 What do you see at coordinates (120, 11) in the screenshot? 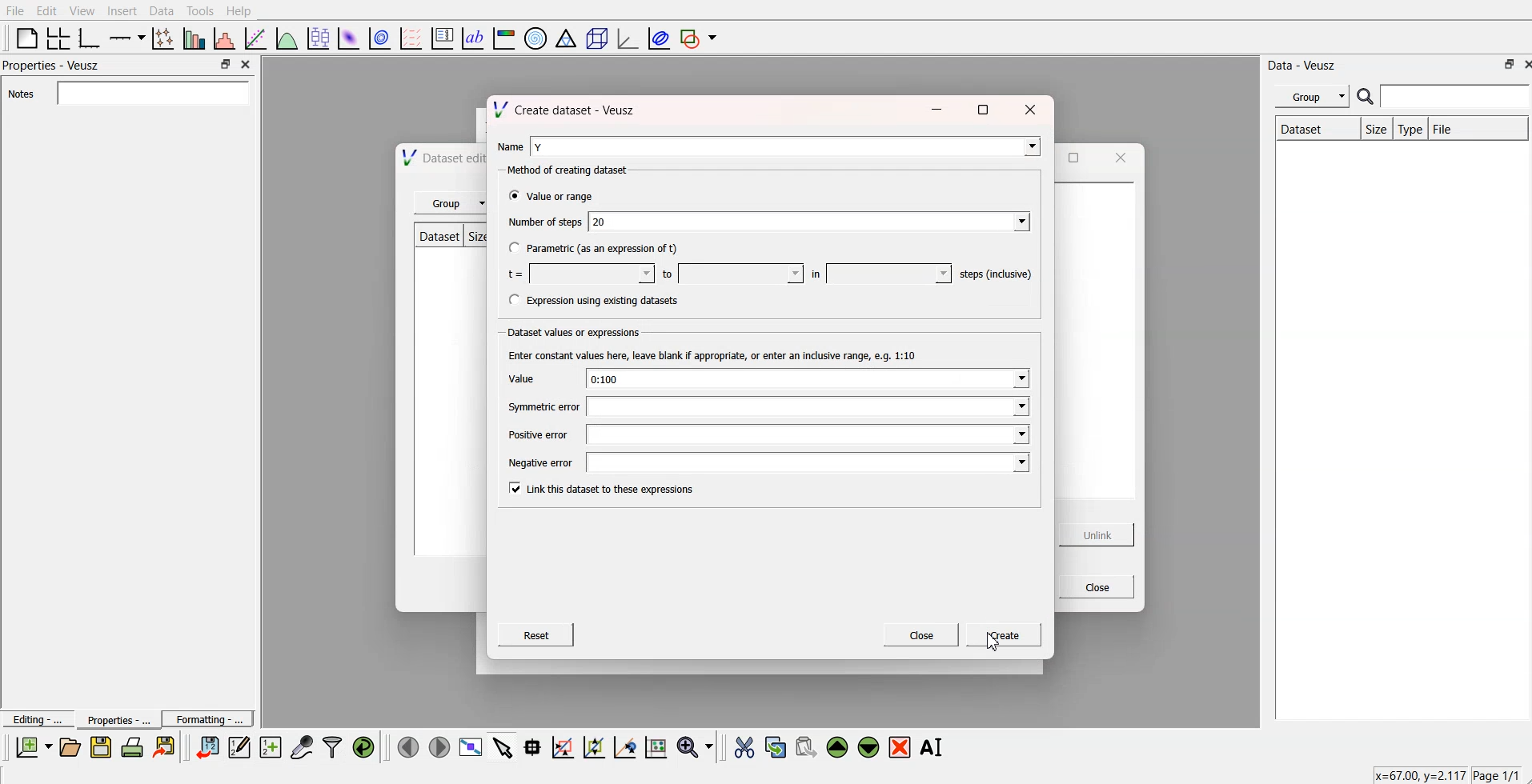
I see `Insert` at bounding box center [120, 11].